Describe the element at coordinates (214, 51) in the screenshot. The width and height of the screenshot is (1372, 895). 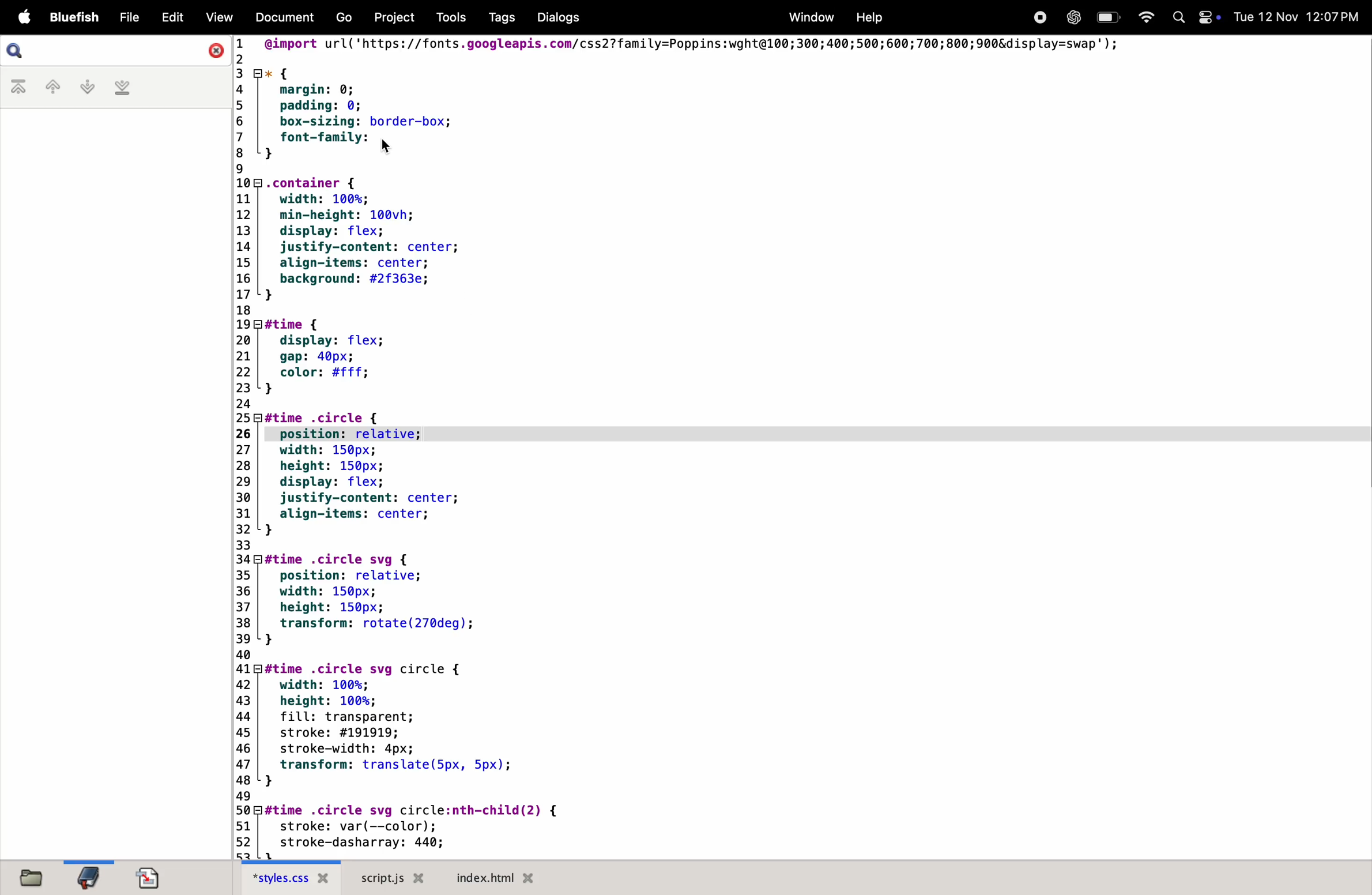
I see `Close` at that location.